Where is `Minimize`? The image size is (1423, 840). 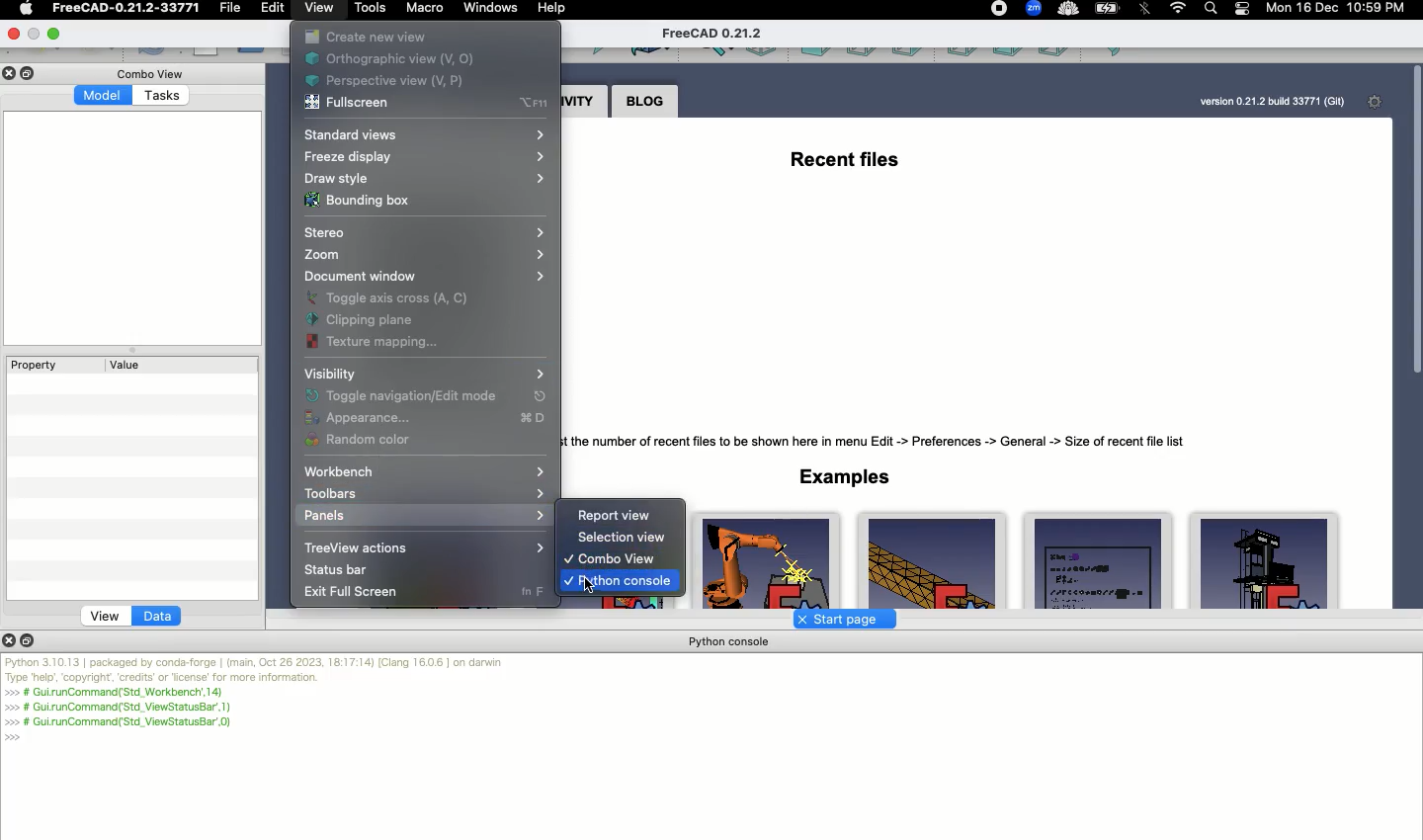
Minimize is located at coordinates (55, 32).